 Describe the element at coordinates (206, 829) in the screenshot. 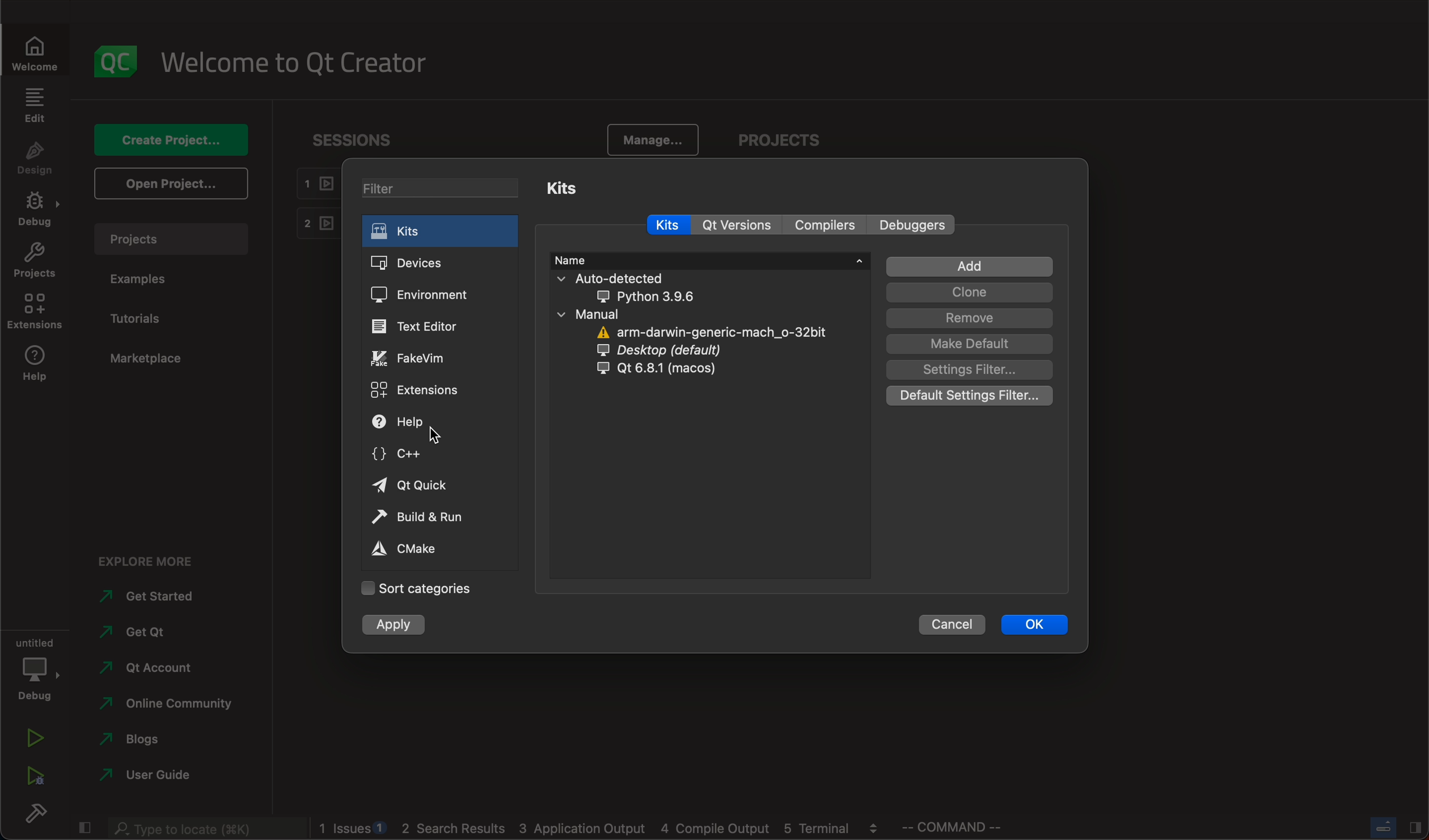

I see `search bar` at that location.